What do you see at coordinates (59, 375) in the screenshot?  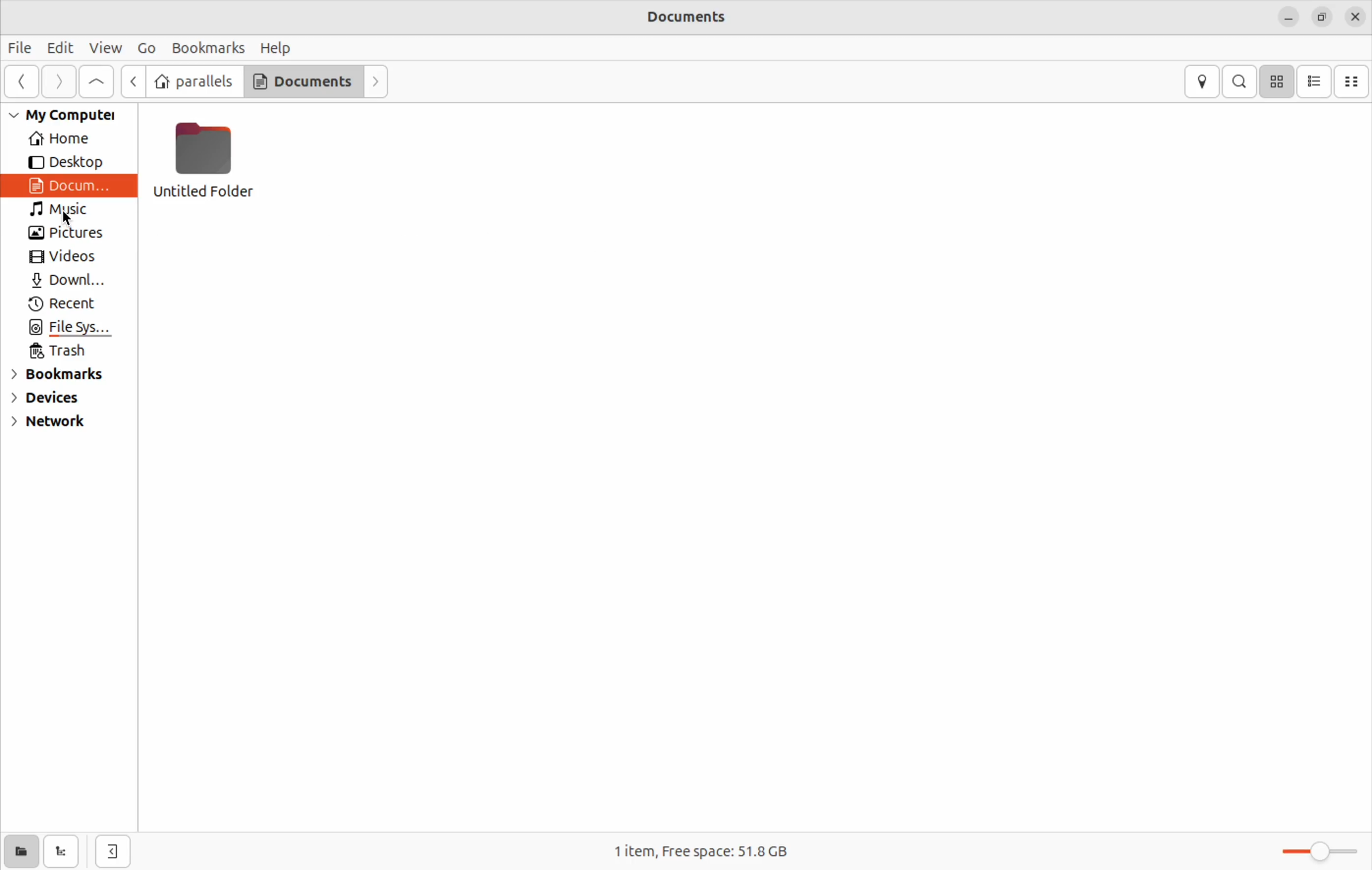 I see `Bookmarks` at bounding box center [59, 375].